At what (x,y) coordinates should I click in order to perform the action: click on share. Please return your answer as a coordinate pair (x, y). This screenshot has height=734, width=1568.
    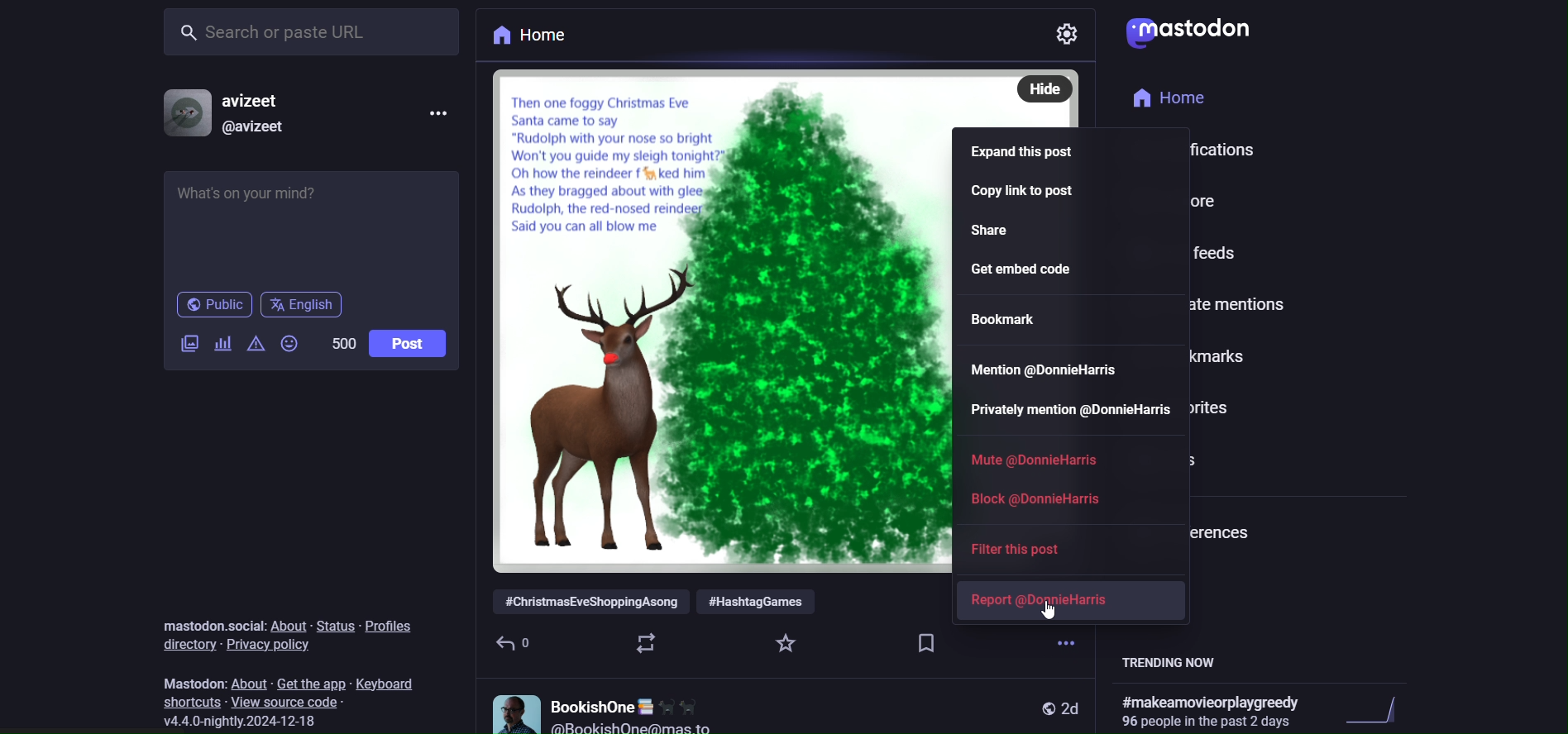
    Looking at the image, I should click on (997, 231).